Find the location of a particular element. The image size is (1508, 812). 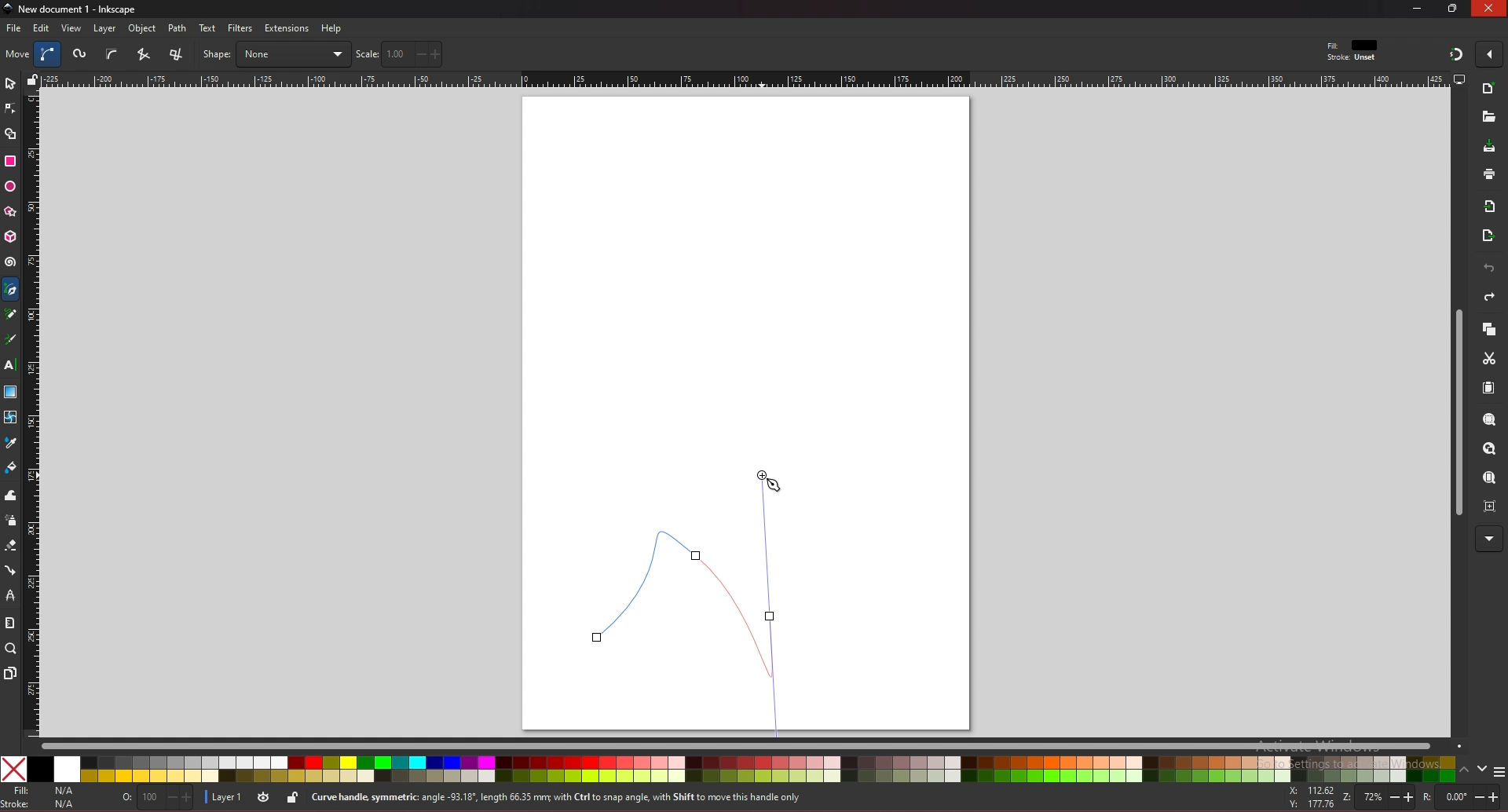

ellipse is located at coordinates (10, 187).